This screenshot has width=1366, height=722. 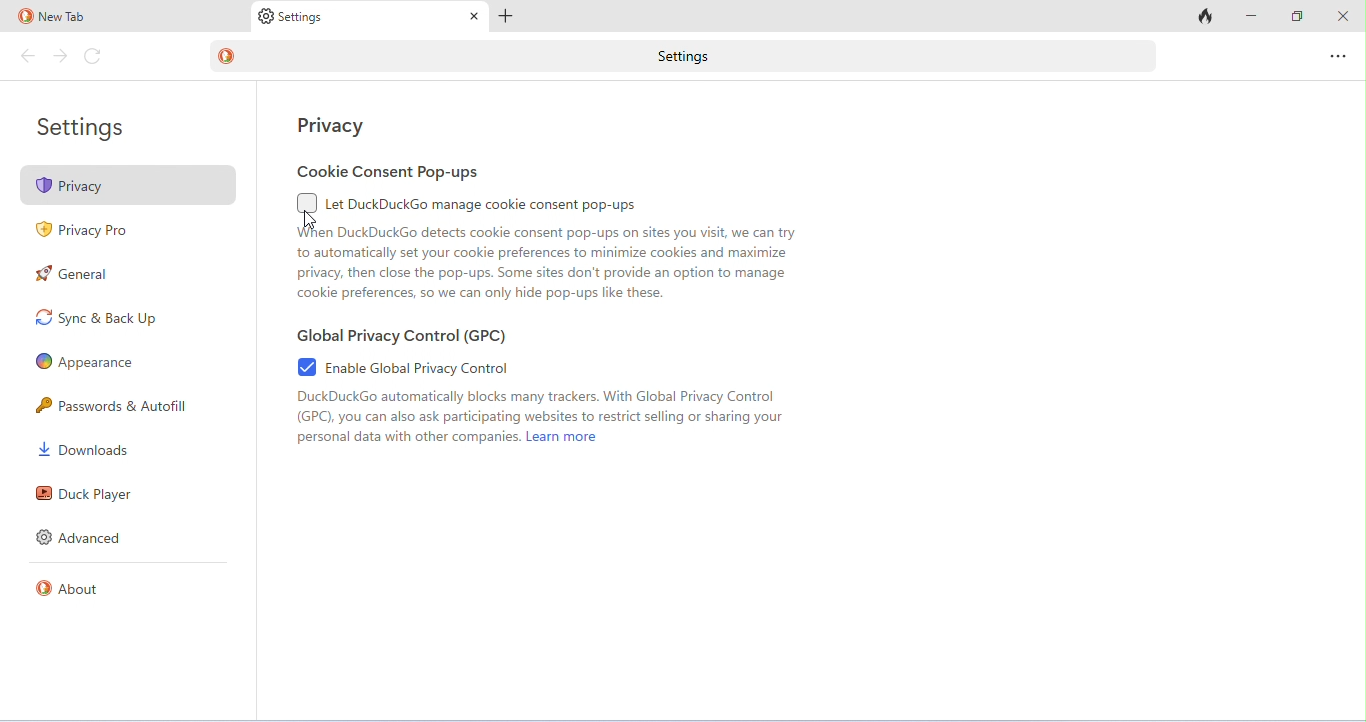 I want to click on duck player, so click(x=82, y=494).